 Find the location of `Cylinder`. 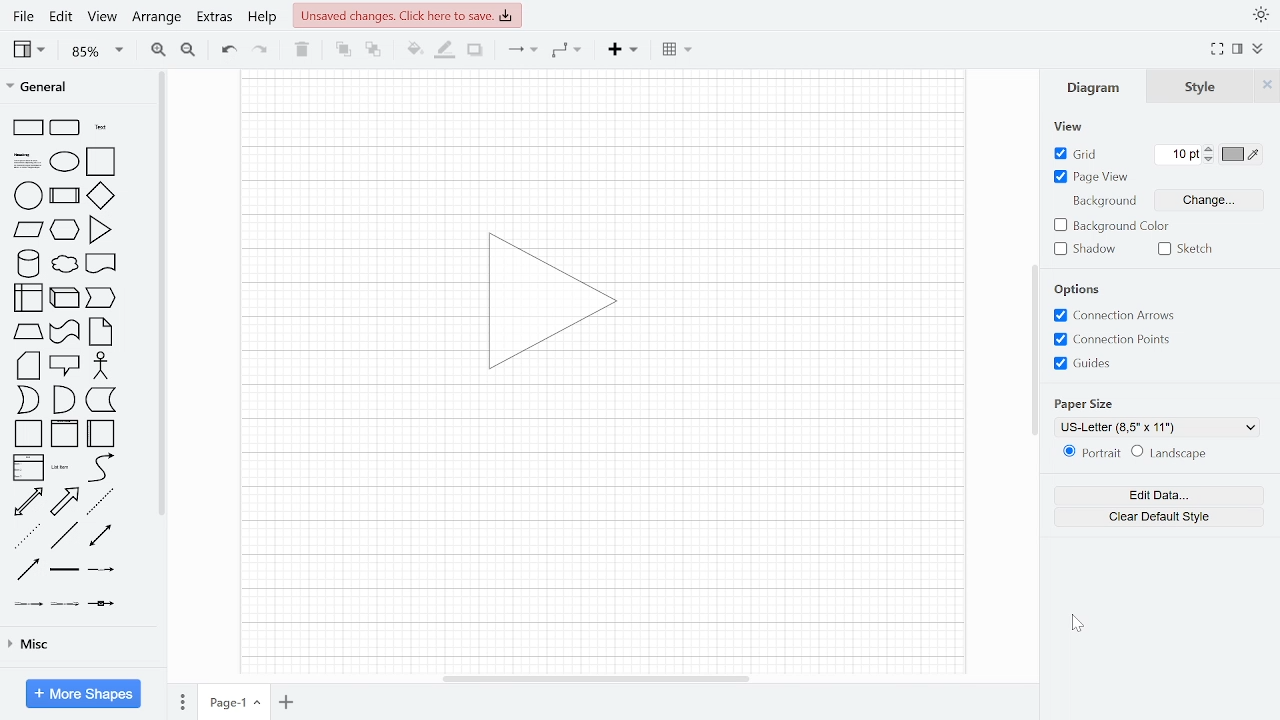

Cylinder is located at coordinates (28, 264).